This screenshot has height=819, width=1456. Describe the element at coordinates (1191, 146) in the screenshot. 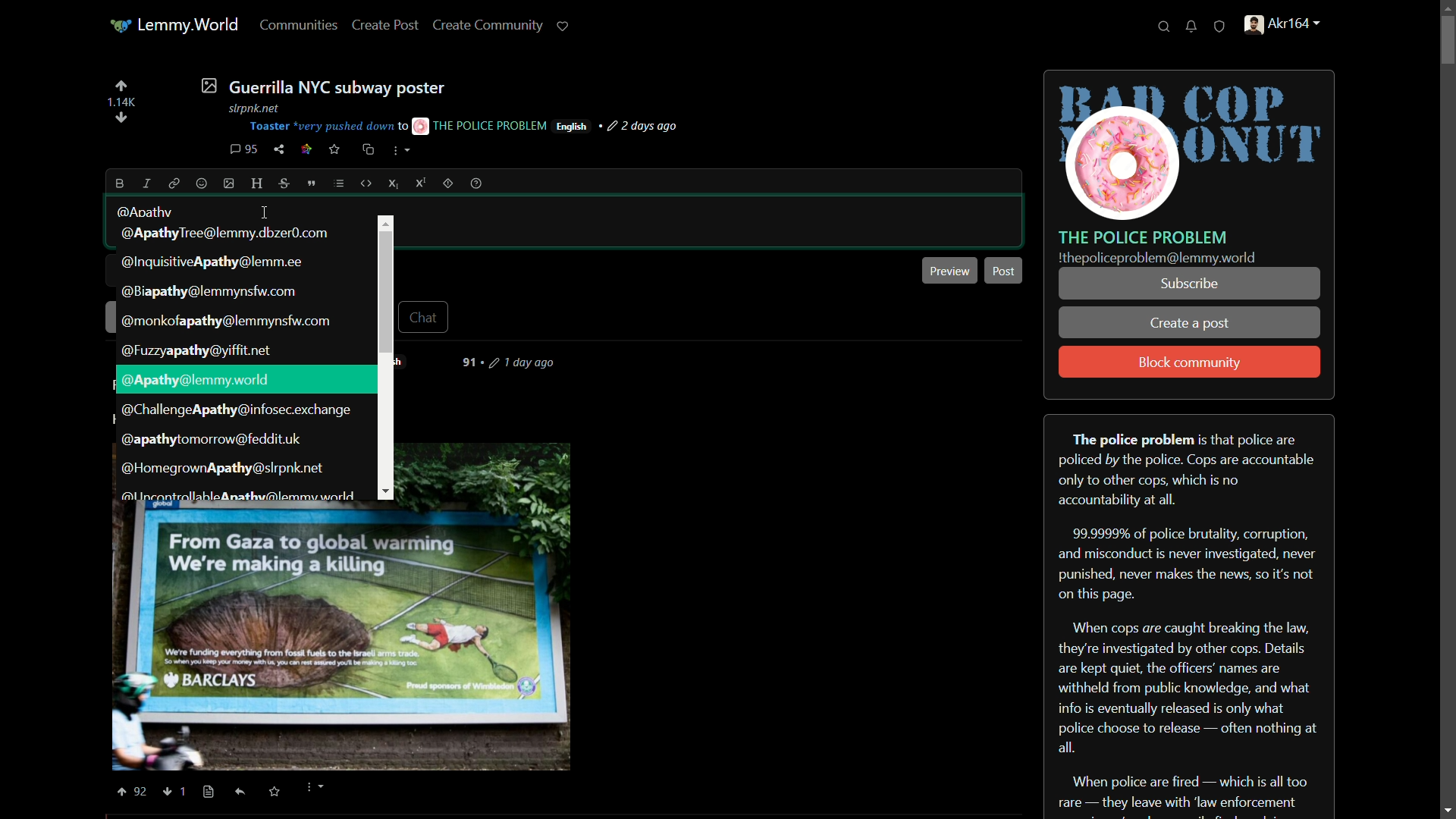

I see `server icon` at that location.